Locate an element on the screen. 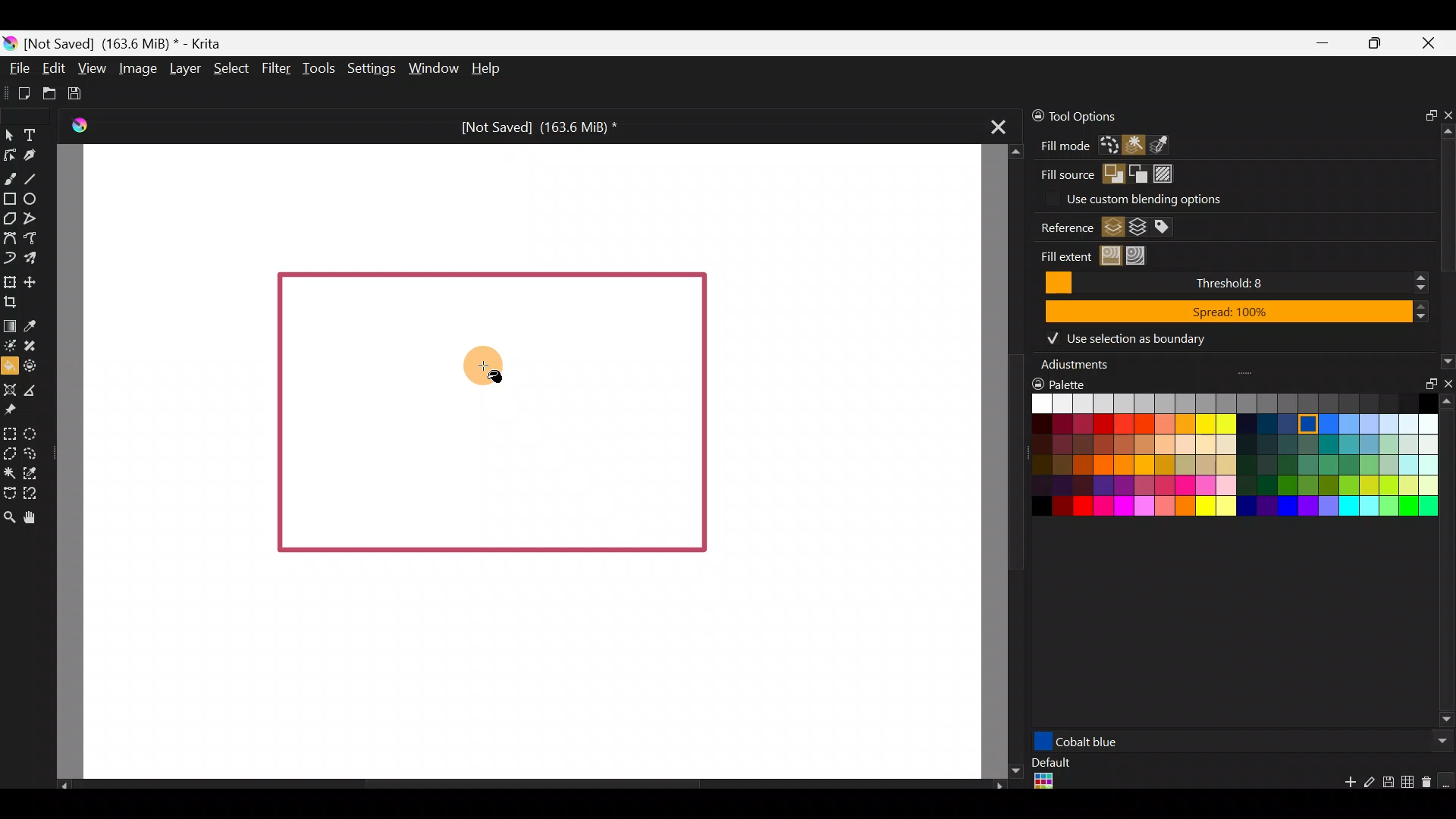 The height and width of the screenshot is (819, 1456). Ellipse tool is located at coordinates (36, 198).